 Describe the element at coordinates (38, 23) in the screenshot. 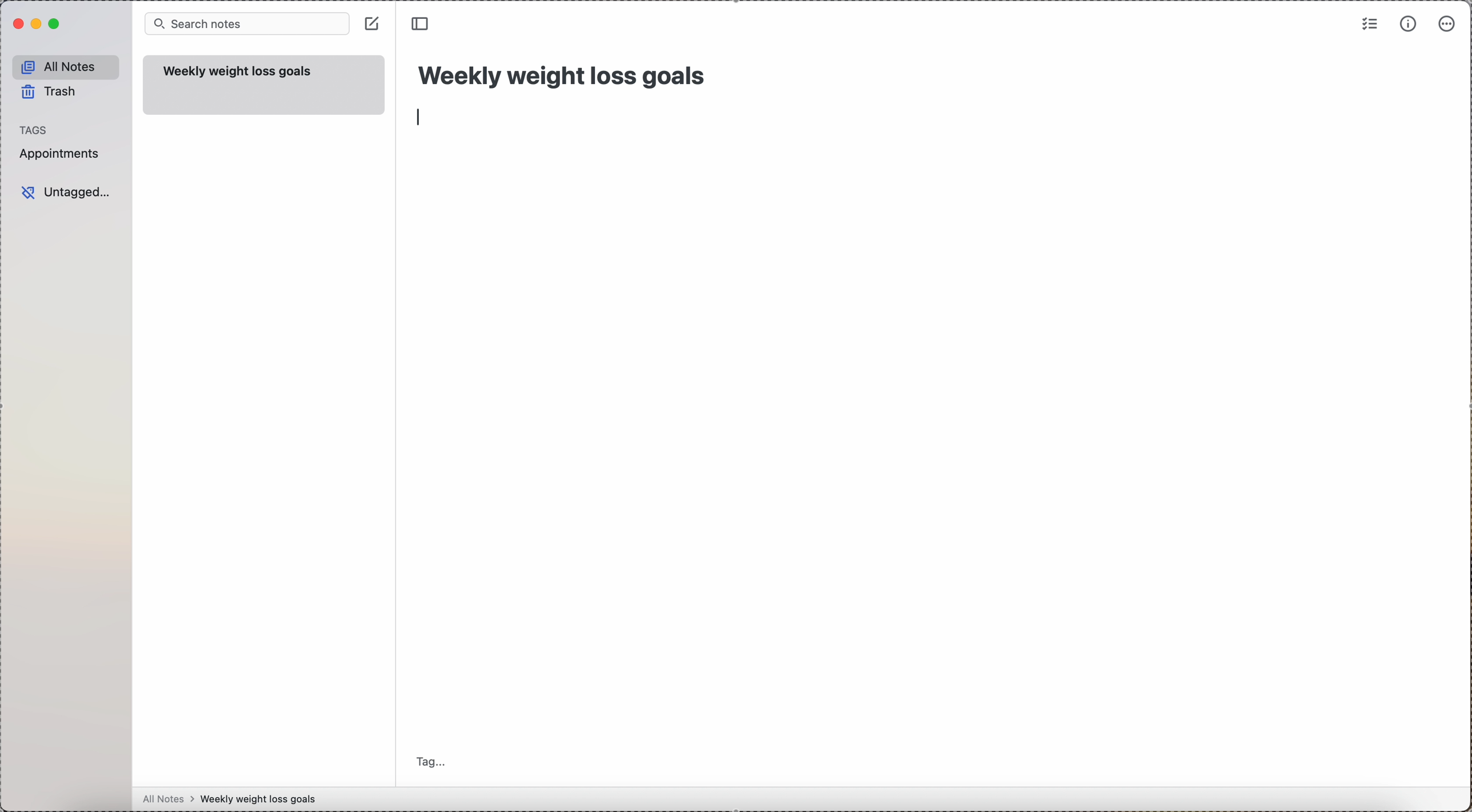

I see `minimize Simplenote` at that location.